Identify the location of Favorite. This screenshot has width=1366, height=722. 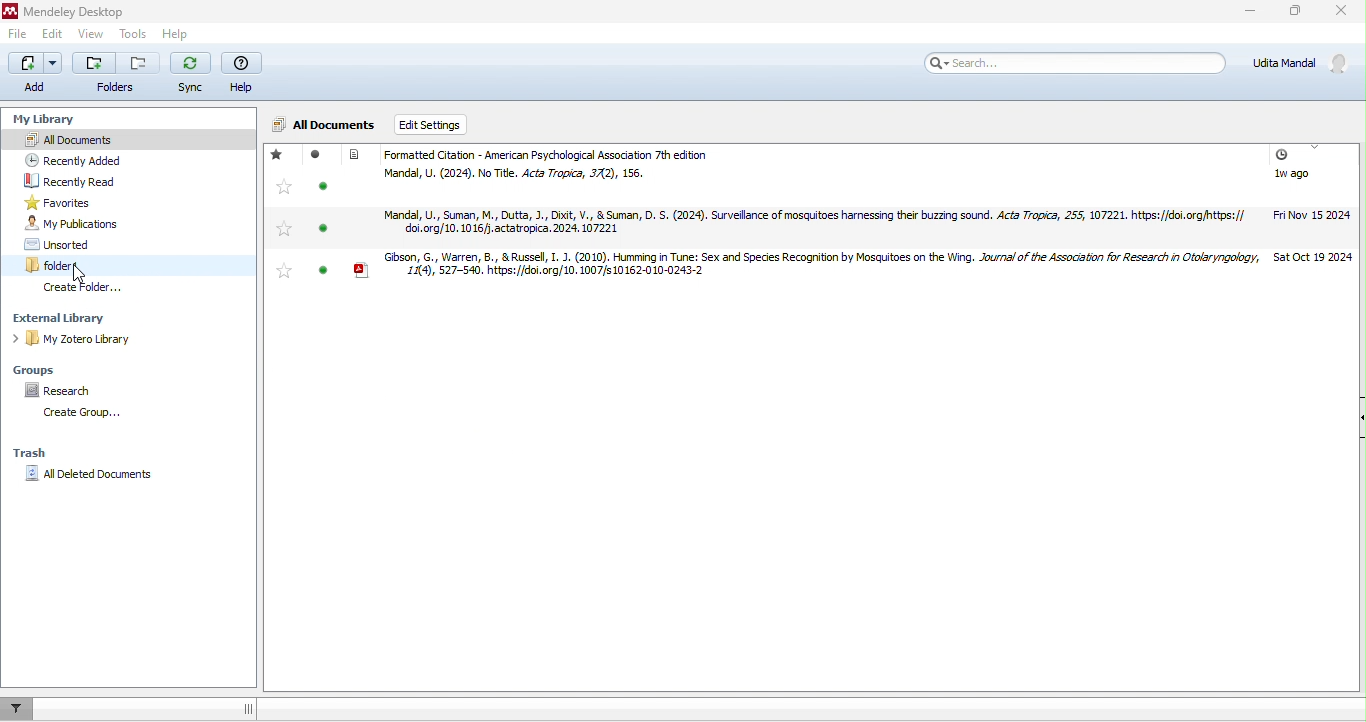
(286, 270).